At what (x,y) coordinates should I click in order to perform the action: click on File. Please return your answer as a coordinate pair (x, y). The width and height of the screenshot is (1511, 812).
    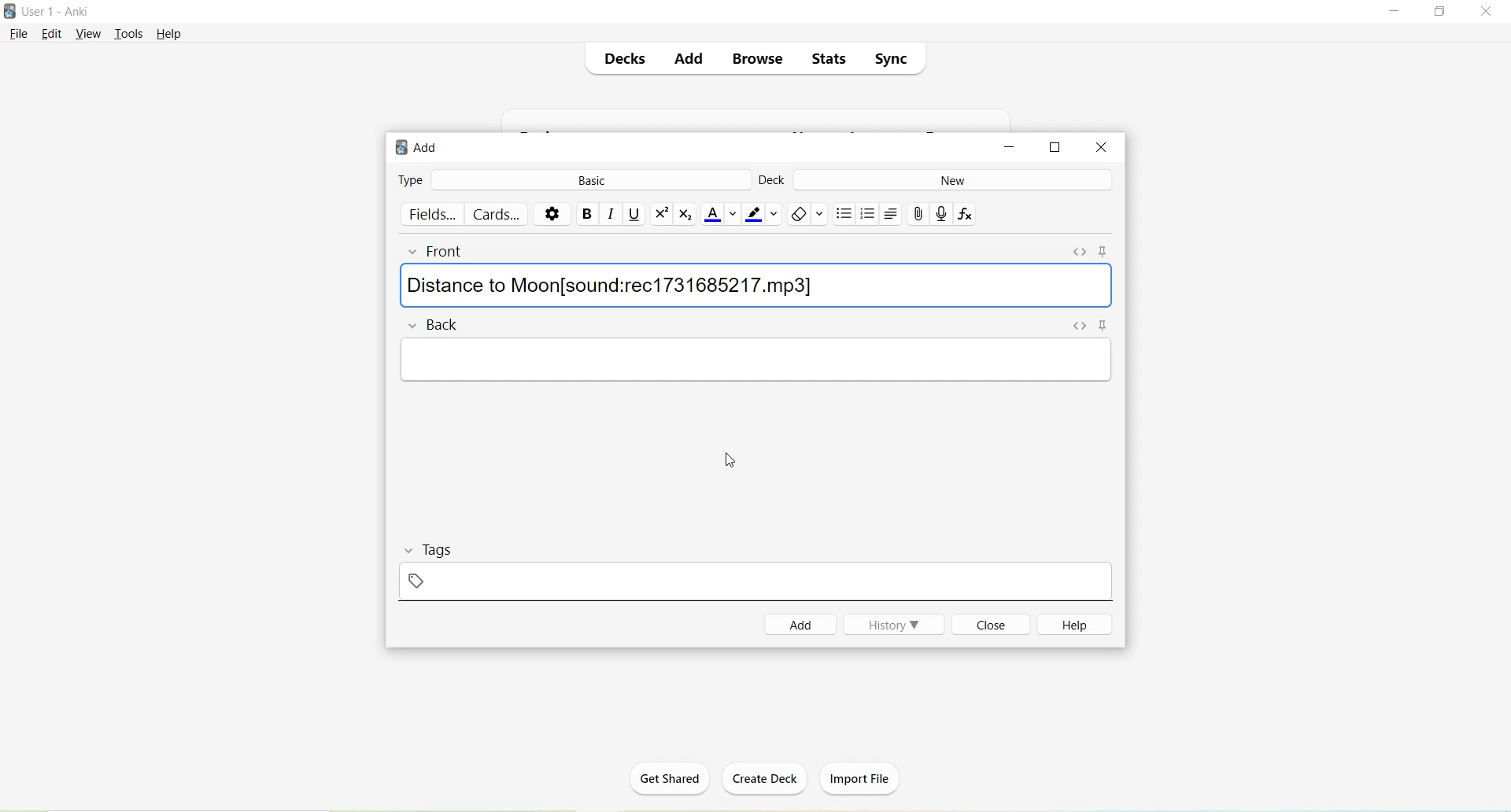
    Looking at the image, I should click on (19, 35).